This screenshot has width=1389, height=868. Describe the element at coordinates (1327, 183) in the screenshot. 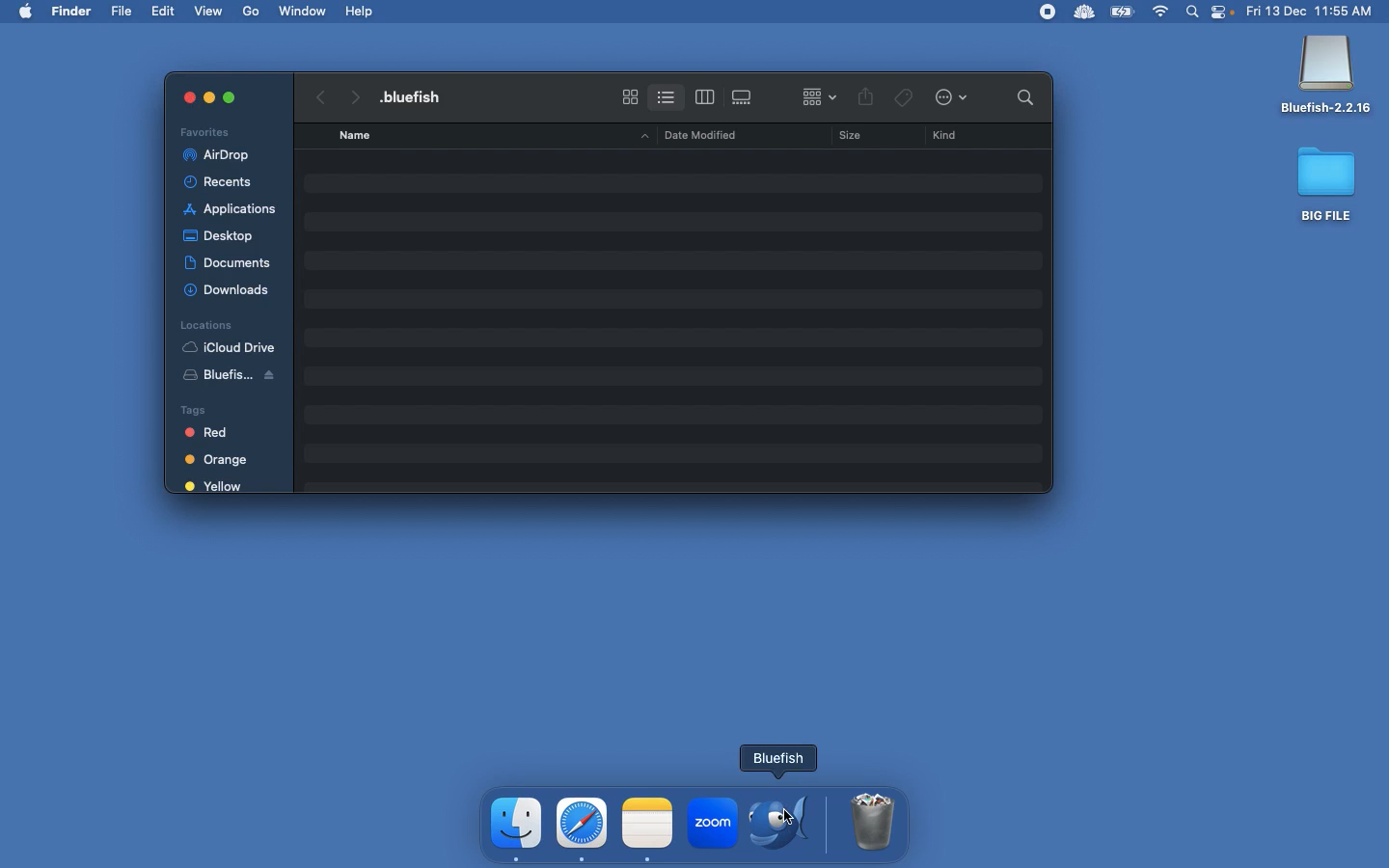

I see `Big file` at that location.